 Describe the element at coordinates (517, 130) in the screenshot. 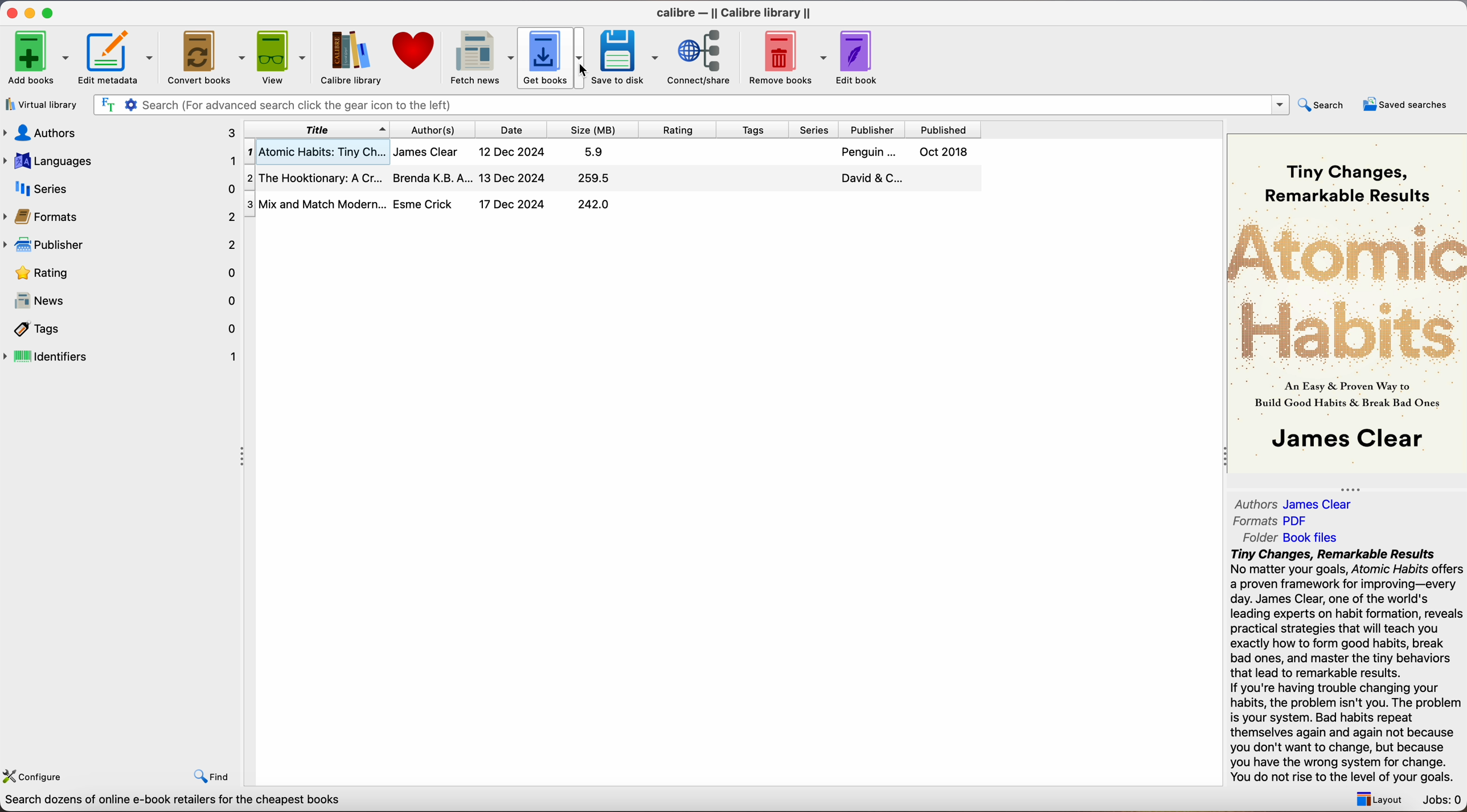

I see `date` at that location.